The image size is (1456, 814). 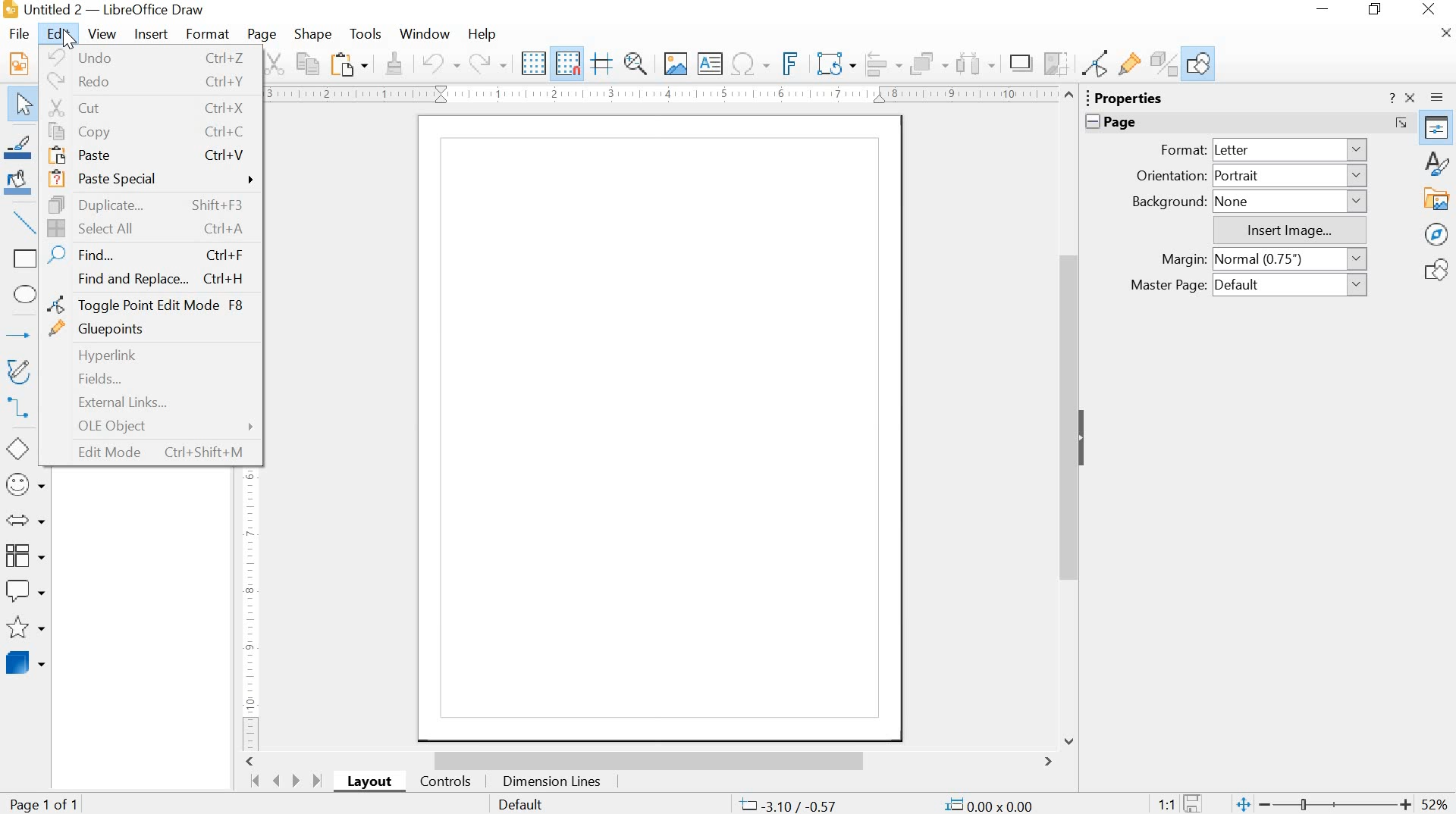 I want to click on file name, so click(x=108, y=11).